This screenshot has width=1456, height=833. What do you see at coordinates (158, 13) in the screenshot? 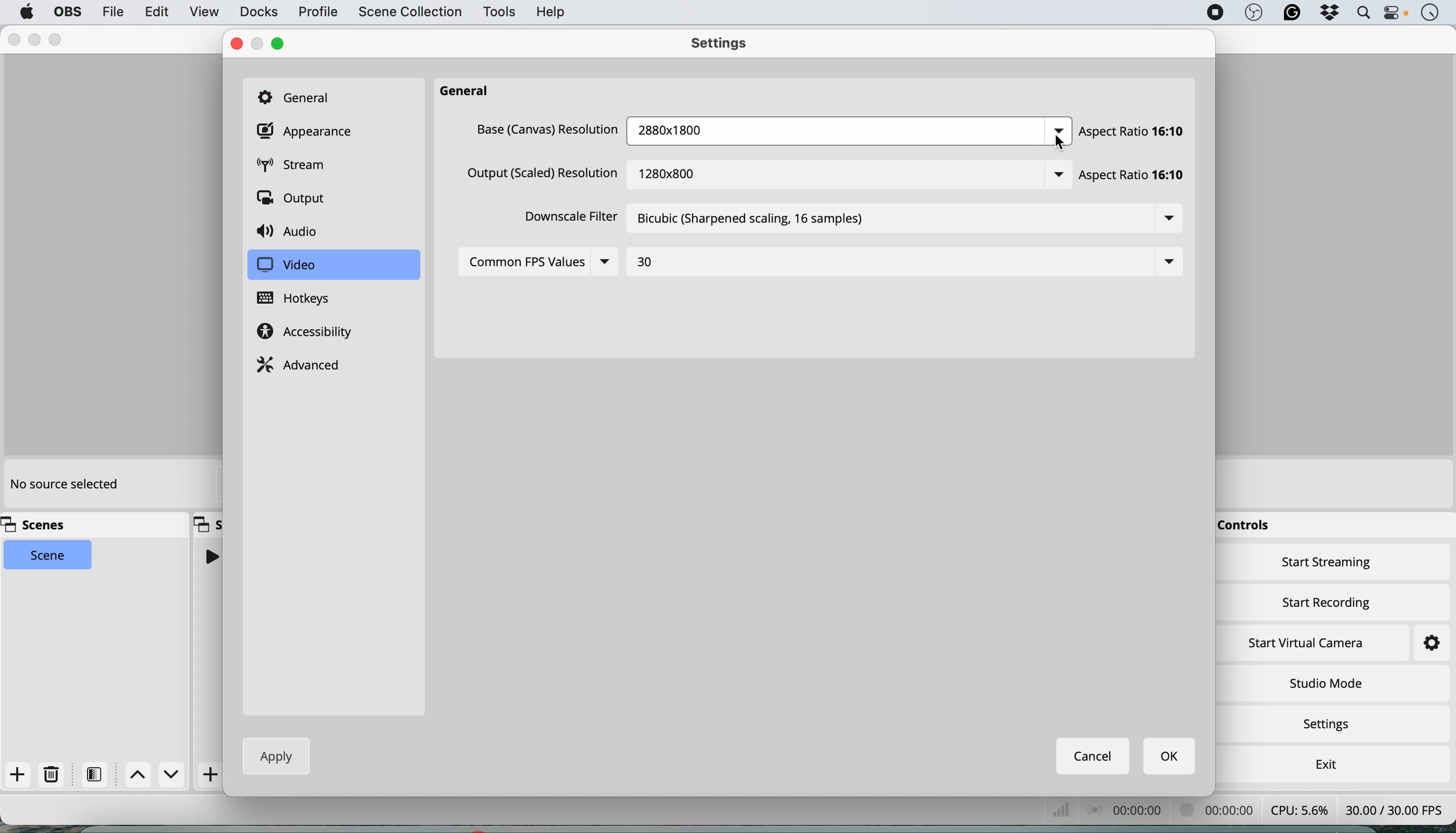
I see `edit` at bounding box center [158, 13].